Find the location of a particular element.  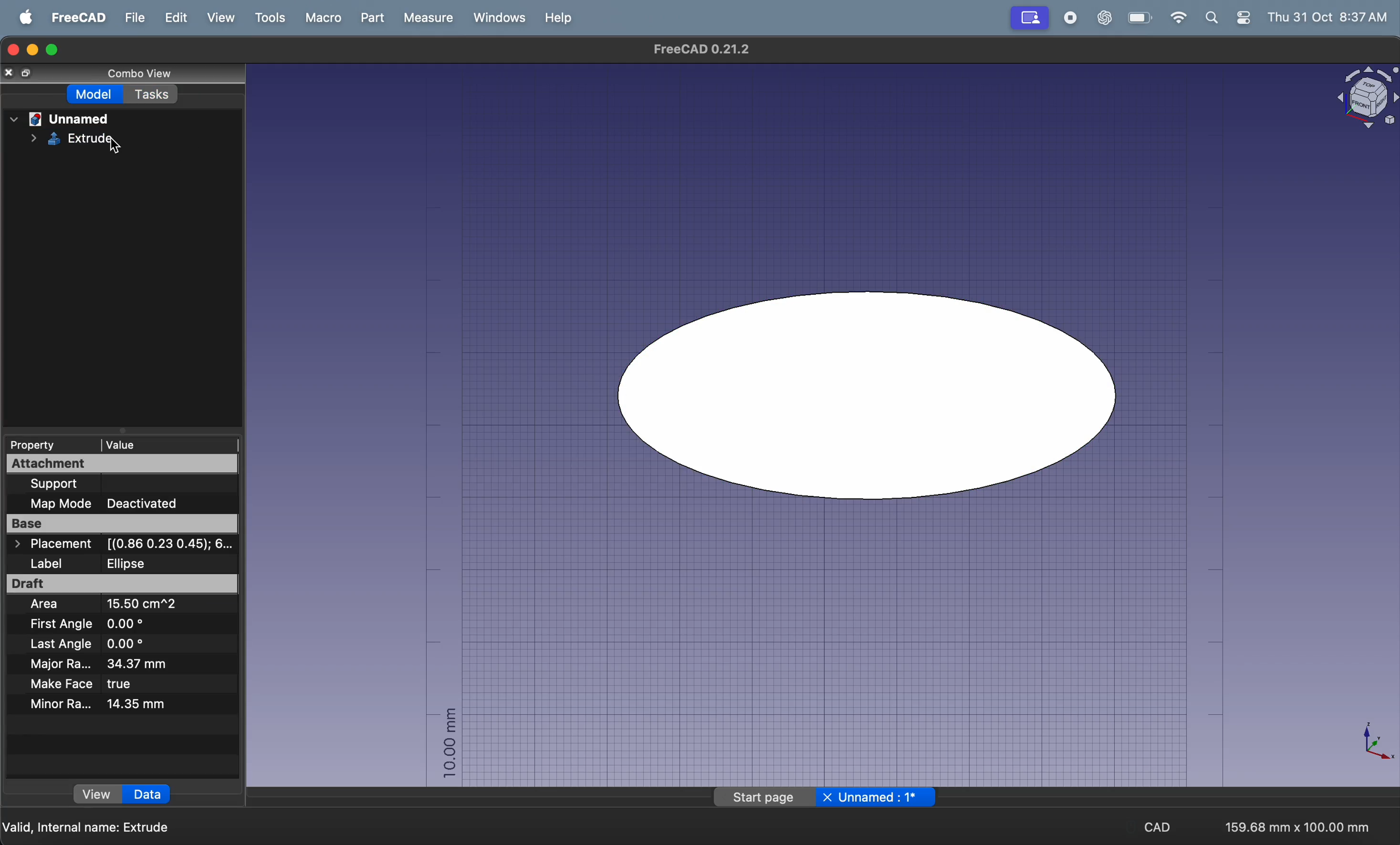

view data is located at coordinates (121, 794).